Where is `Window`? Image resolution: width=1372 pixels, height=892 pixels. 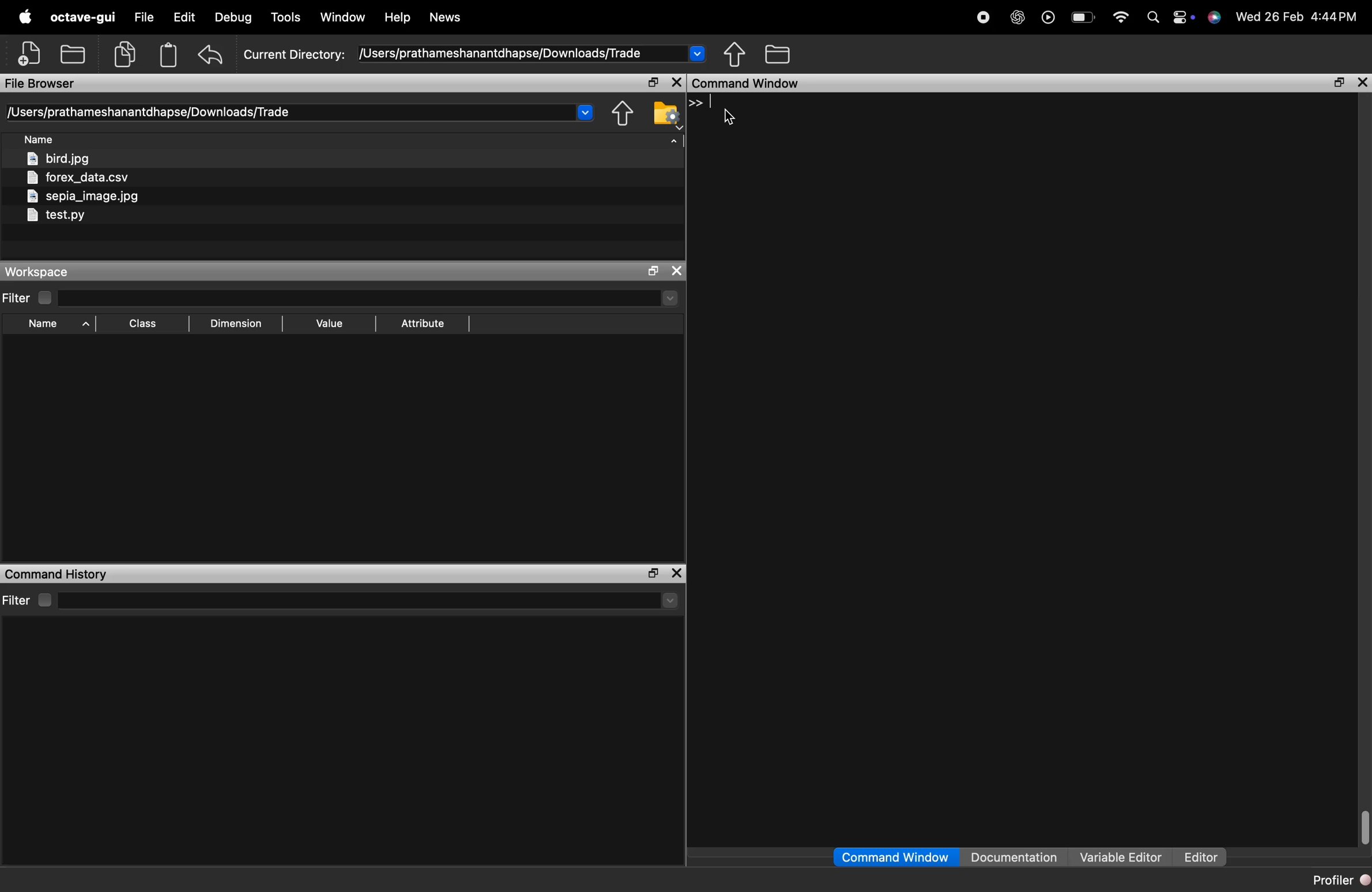 Window is located at coordinates (342, 17).